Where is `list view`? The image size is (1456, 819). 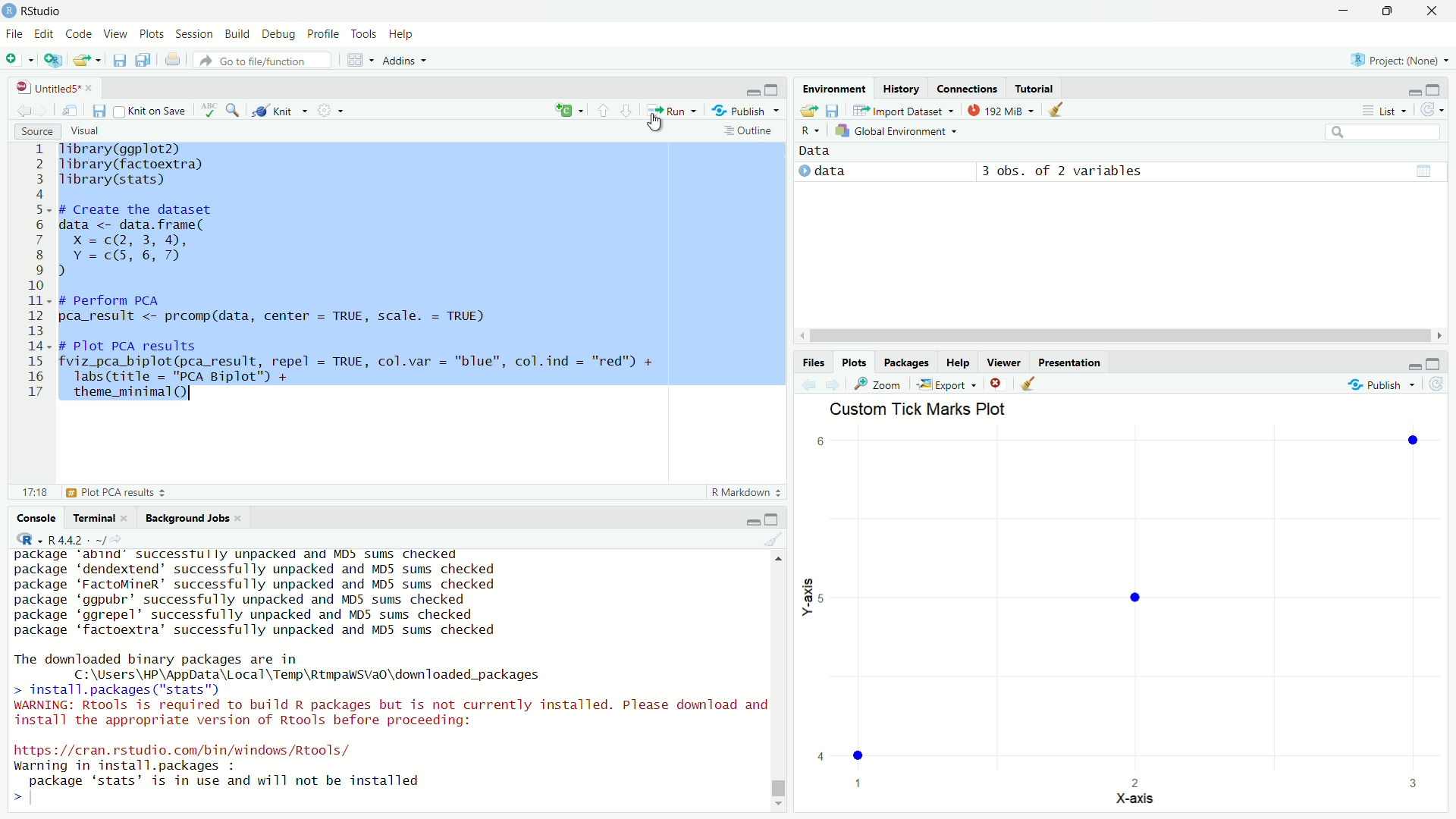 list view is located at coordinates (1384, 110).